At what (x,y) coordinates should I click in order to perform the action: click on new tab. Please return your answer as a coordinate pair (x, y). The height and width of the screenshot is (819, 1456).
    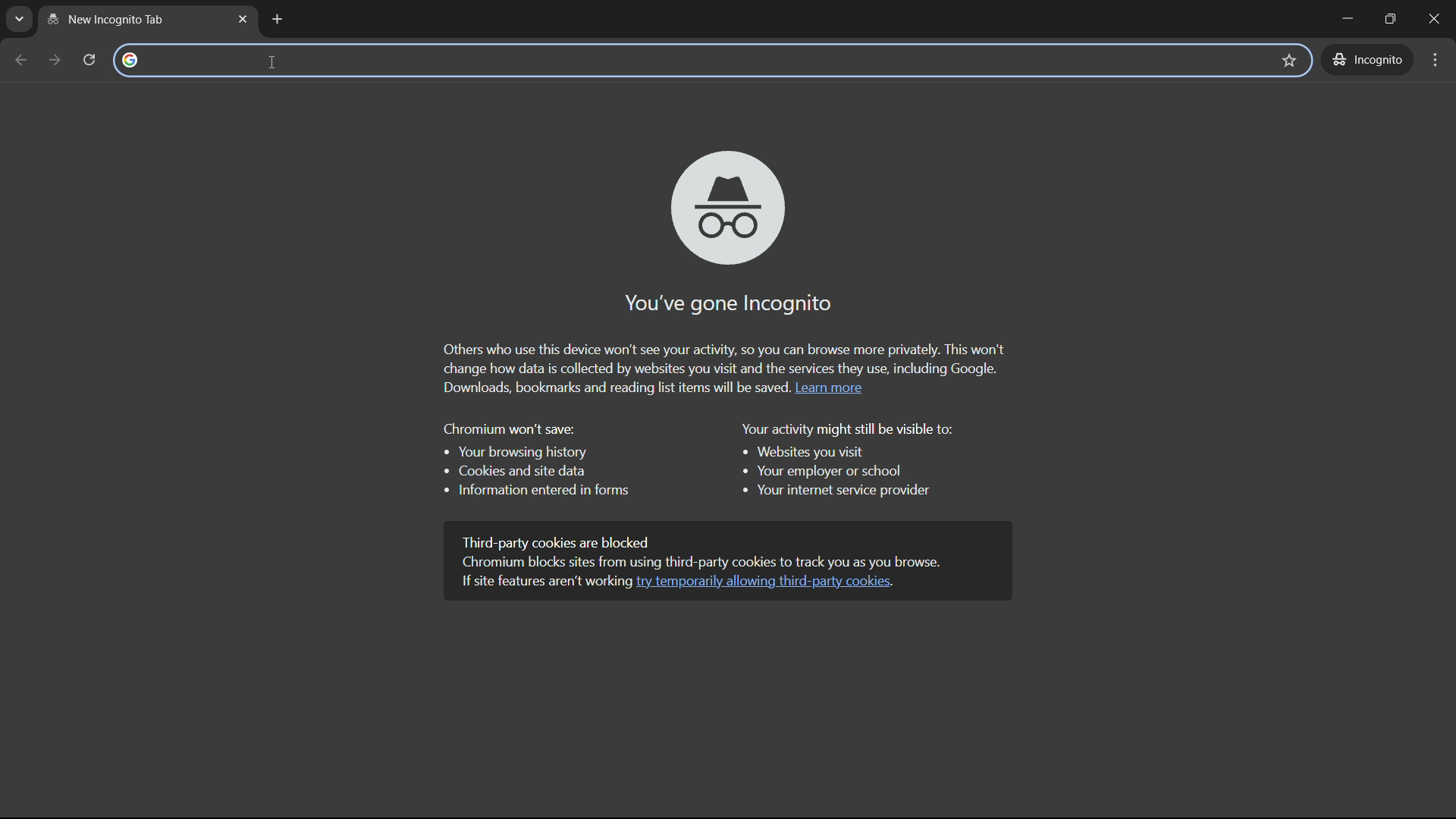
    Looking at the image, I should click on (136, 19).